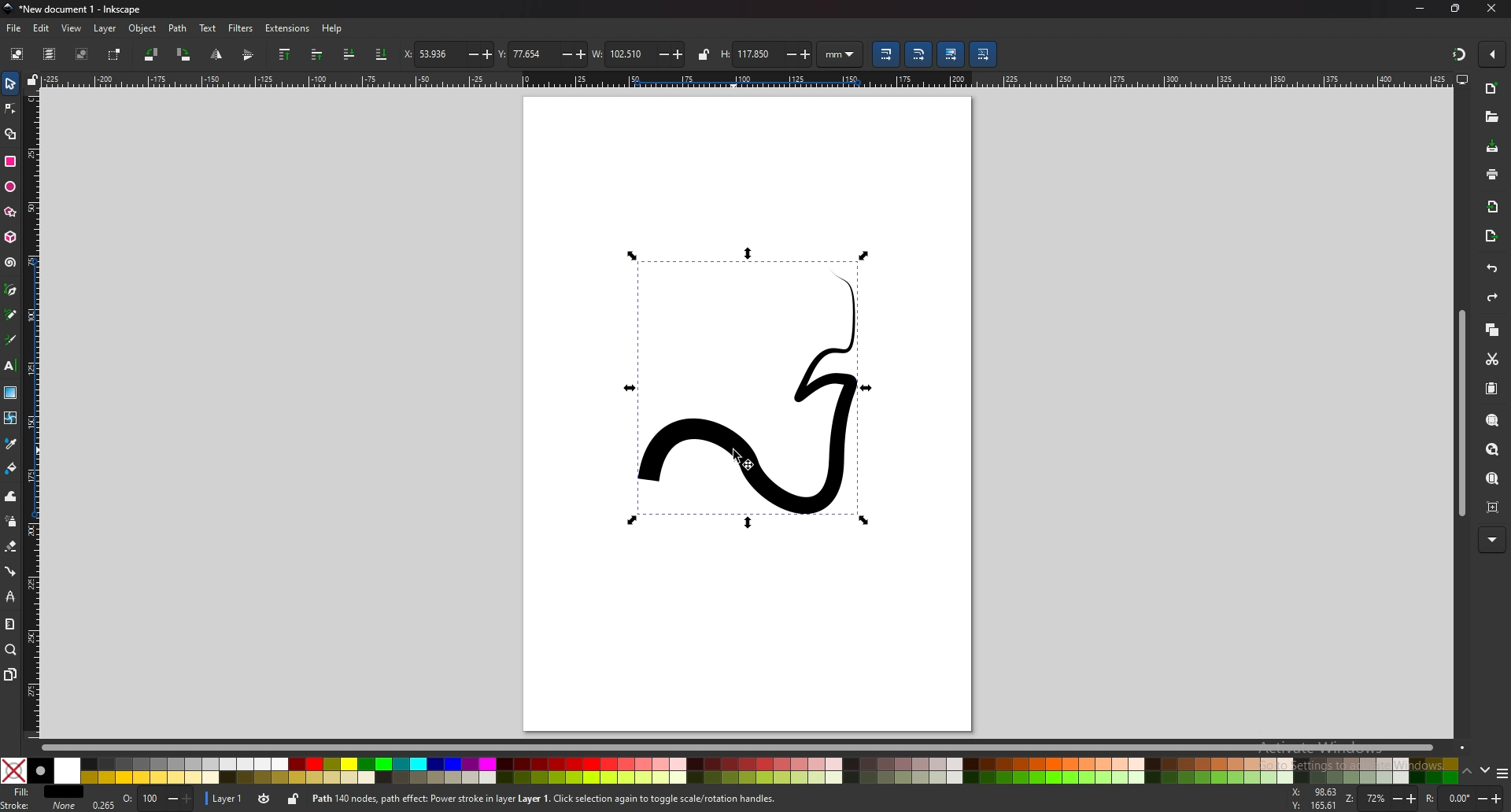  I want to click on layer, so click(105, 28).